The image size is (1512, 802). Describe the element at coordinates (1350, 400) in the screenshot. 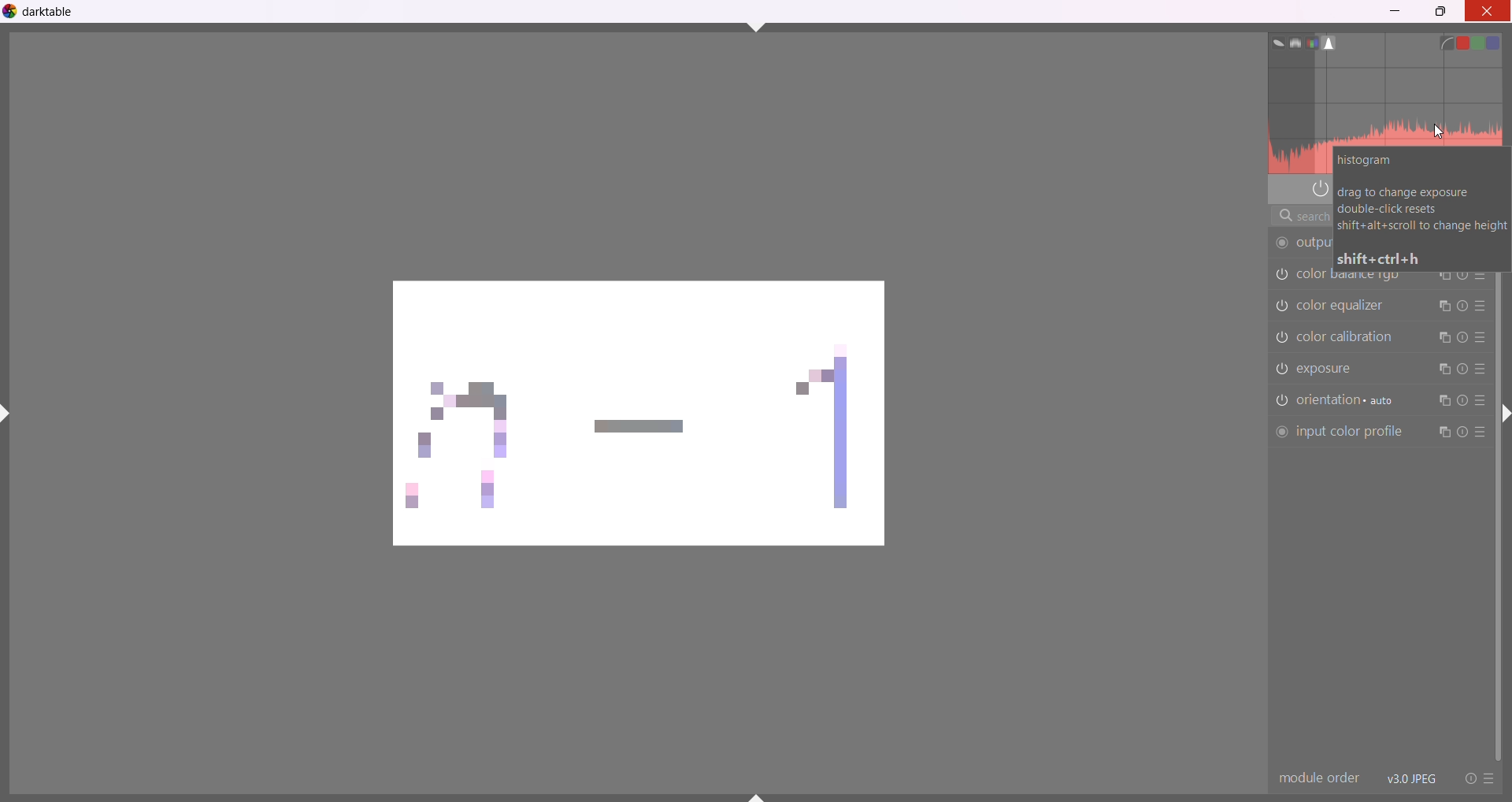

I see `orientation` at that location.